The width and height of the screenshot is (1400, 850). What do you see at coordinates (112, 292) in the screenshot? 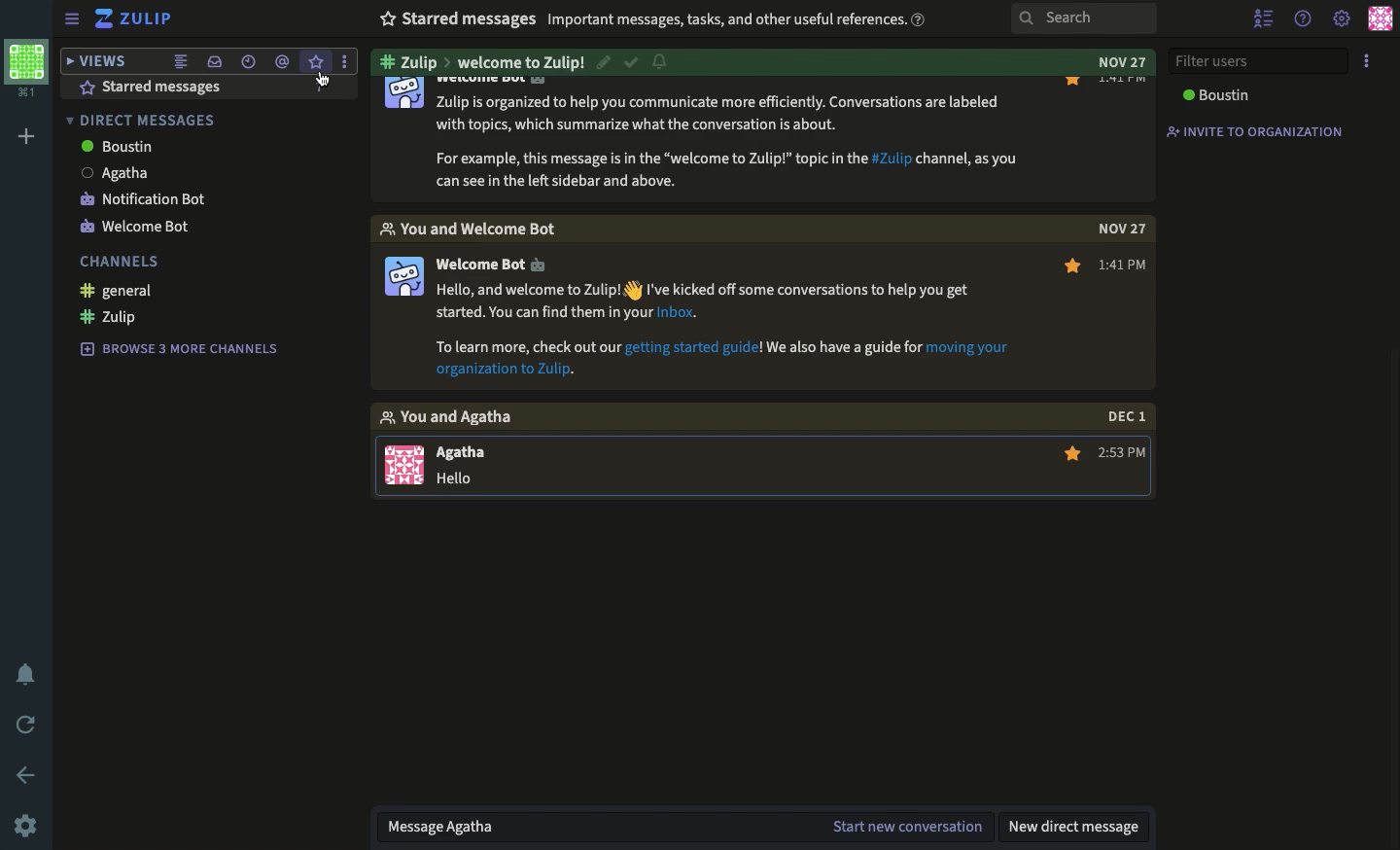
I see `general` at bounding box center [112, 292].